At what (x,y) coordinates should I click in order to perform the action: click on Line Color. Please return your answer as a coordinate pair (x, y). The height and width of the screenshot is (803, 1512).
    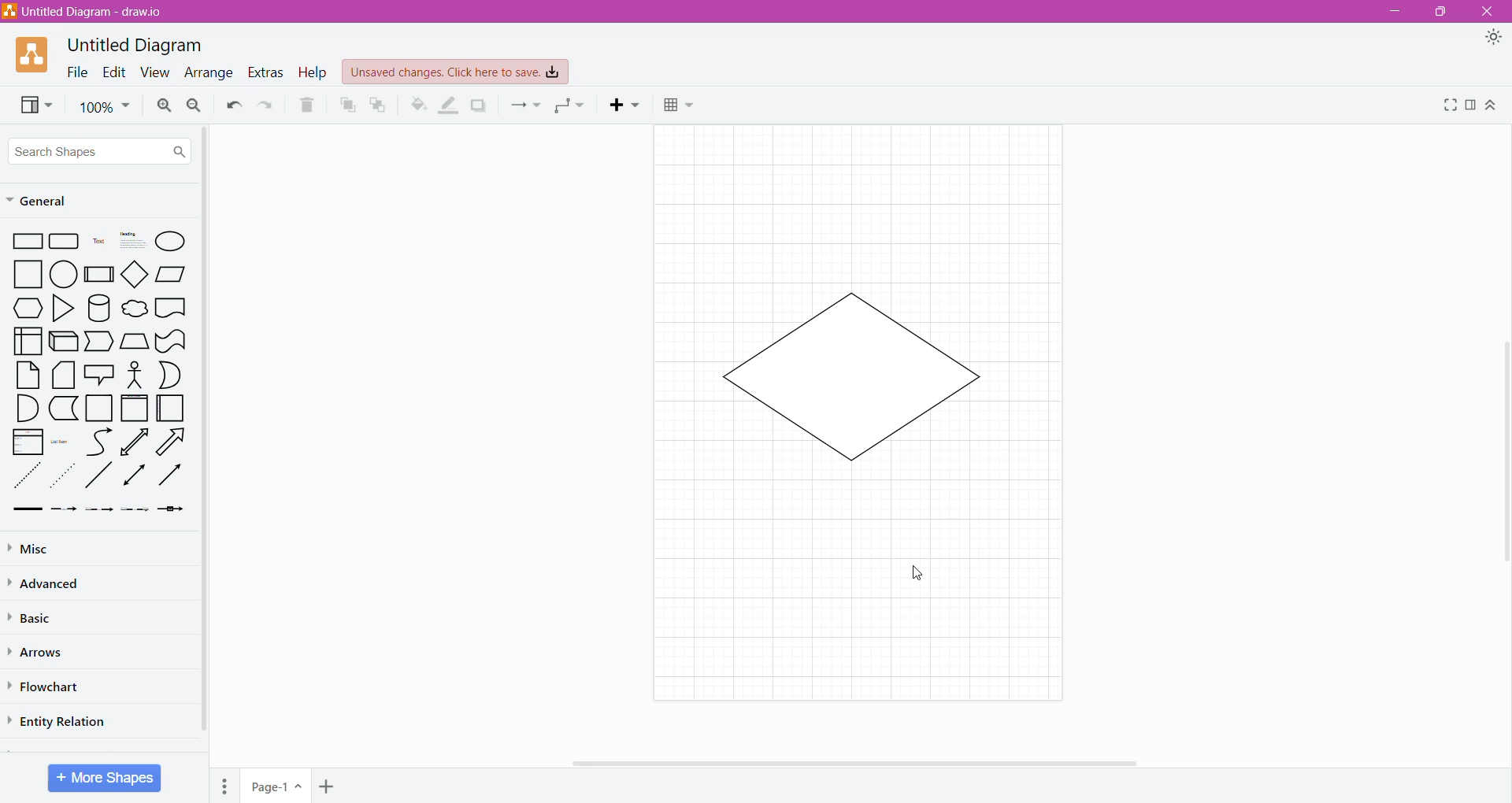
    Looking at the image, I should click on (448, 105).